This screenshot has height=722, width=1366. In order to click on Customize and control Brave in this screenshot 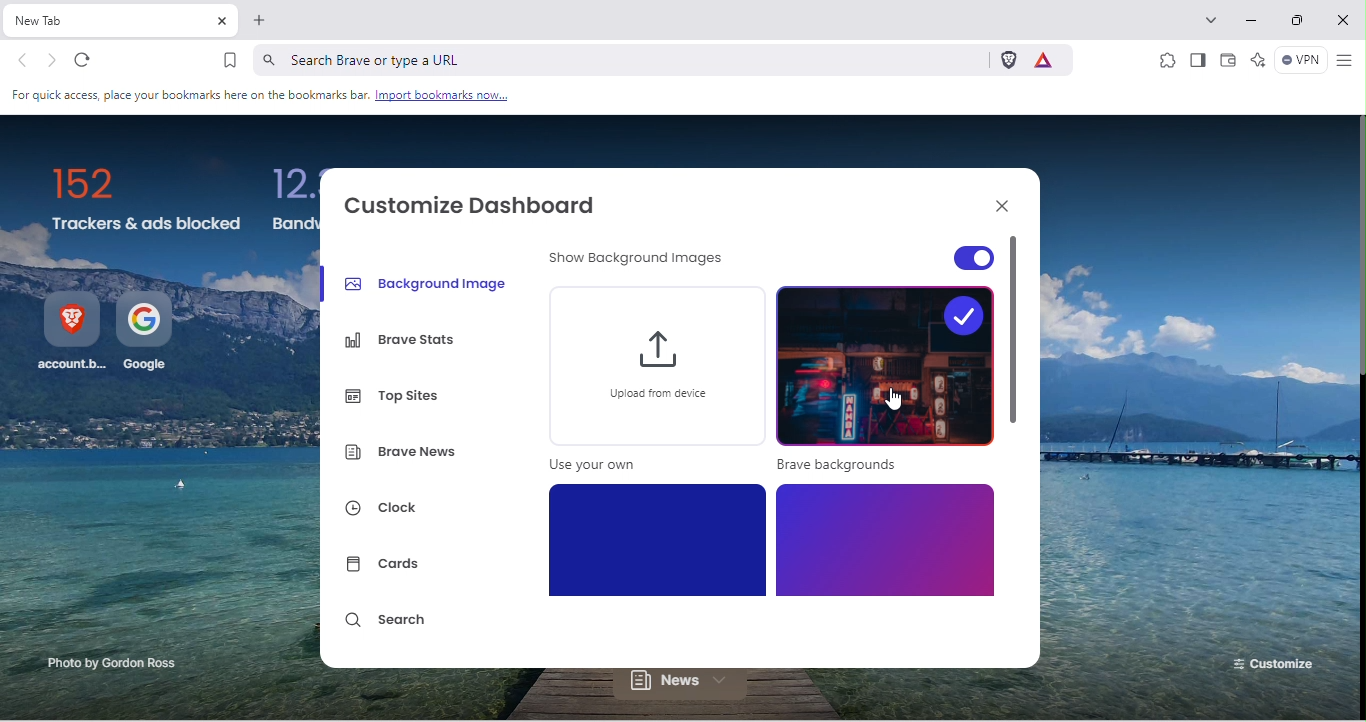, I will do `click(1344, 61)`.